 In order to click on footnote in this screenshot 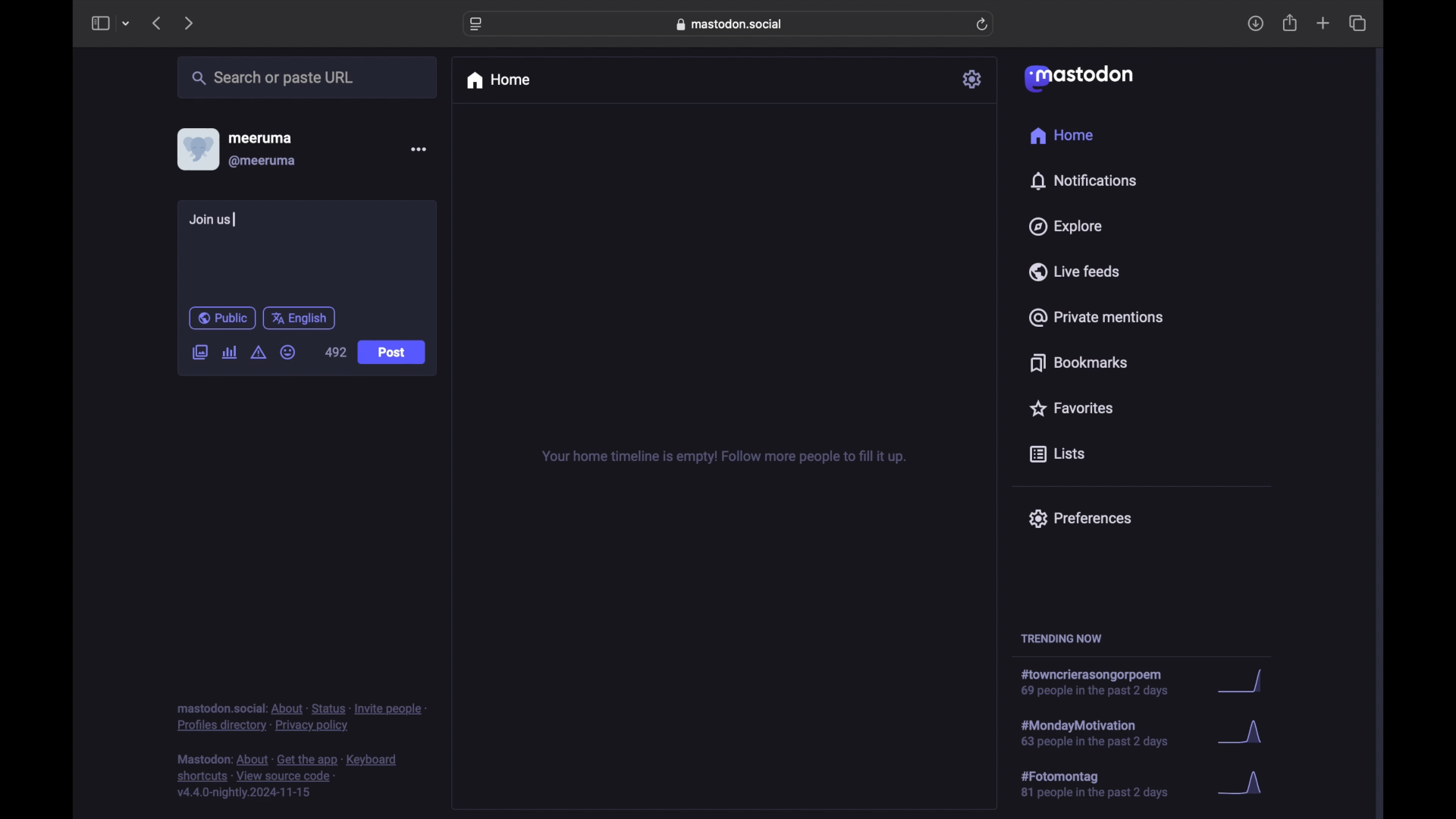, I will do `click(302, 717)`.